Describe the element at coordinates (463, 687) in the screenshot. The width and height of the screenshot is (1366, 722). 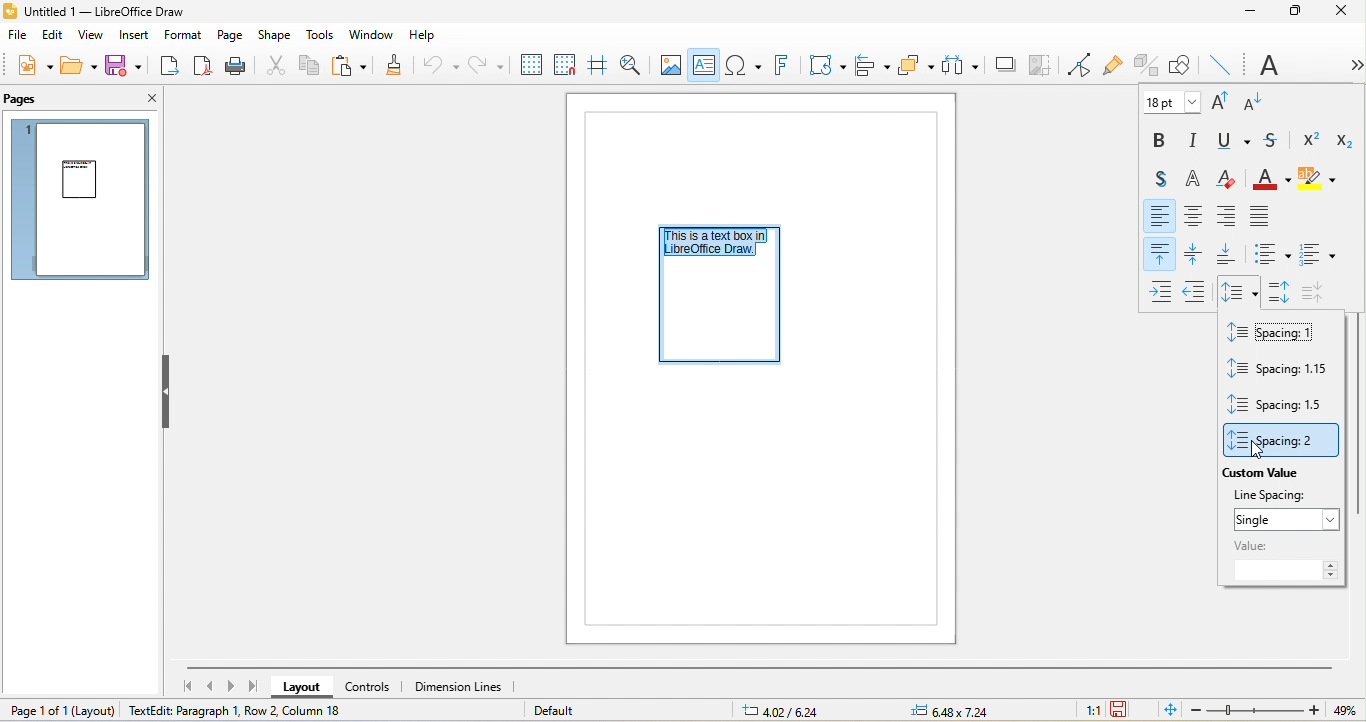
I see `dimension lines` at that location.